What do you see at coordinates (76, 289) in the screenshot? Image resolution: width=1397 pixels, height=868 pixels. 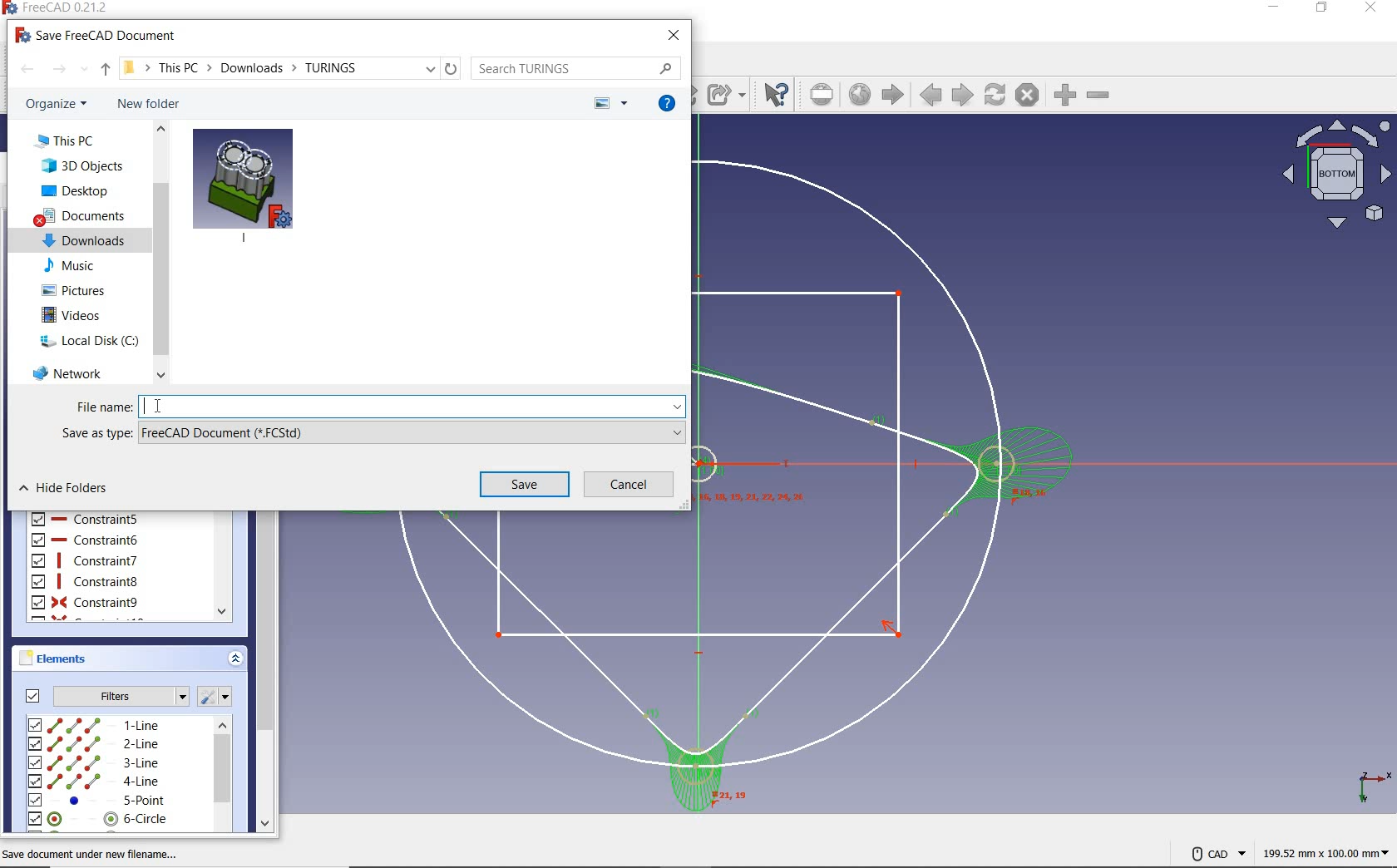 I see `pictures` at bounding box center [76, 289].